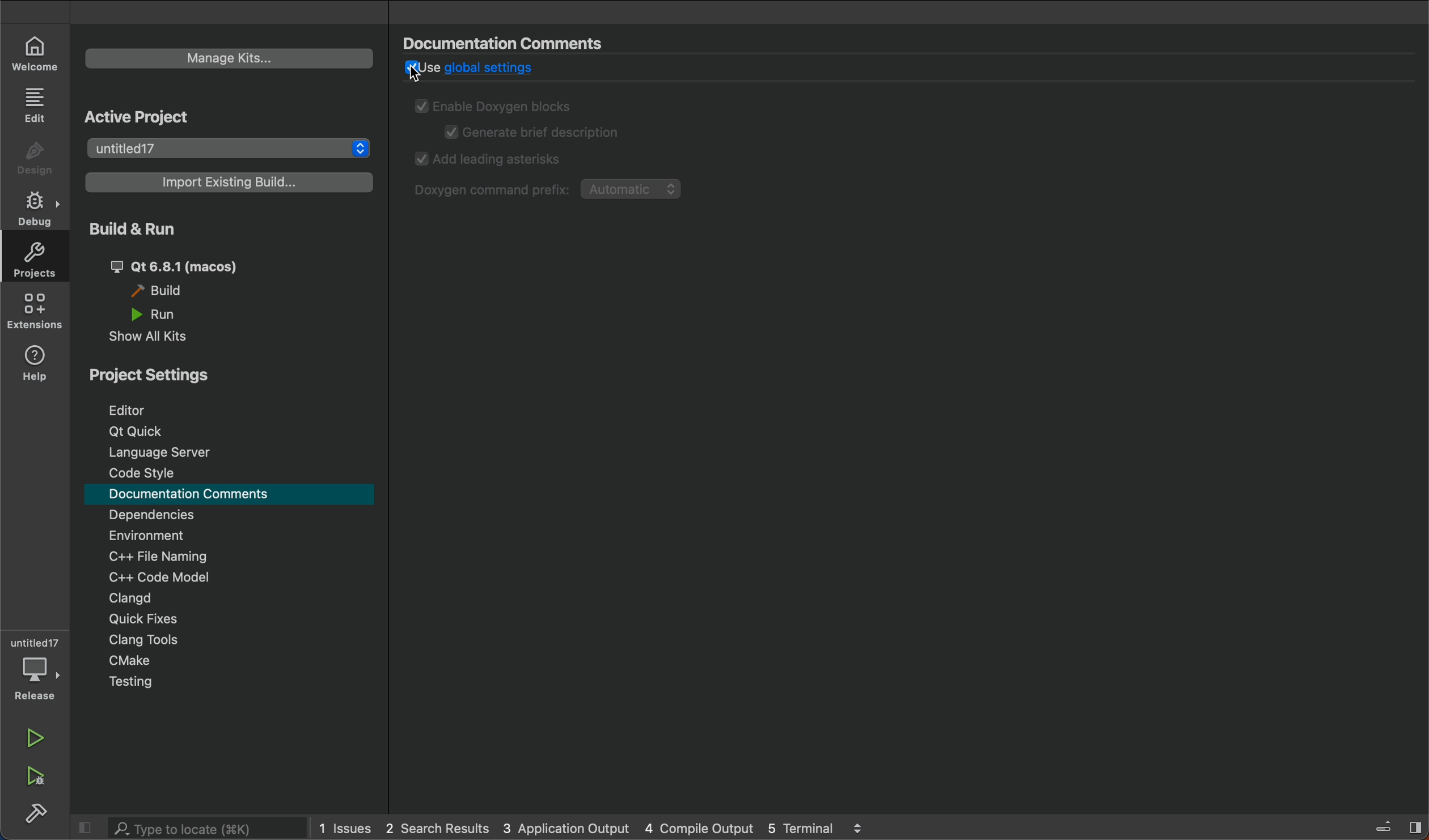 This screenshot has width=1429, height=840. What do you see at coordinates (39, 776) in the screenshot?
I see `run and build` at bounding box center [39, 776].